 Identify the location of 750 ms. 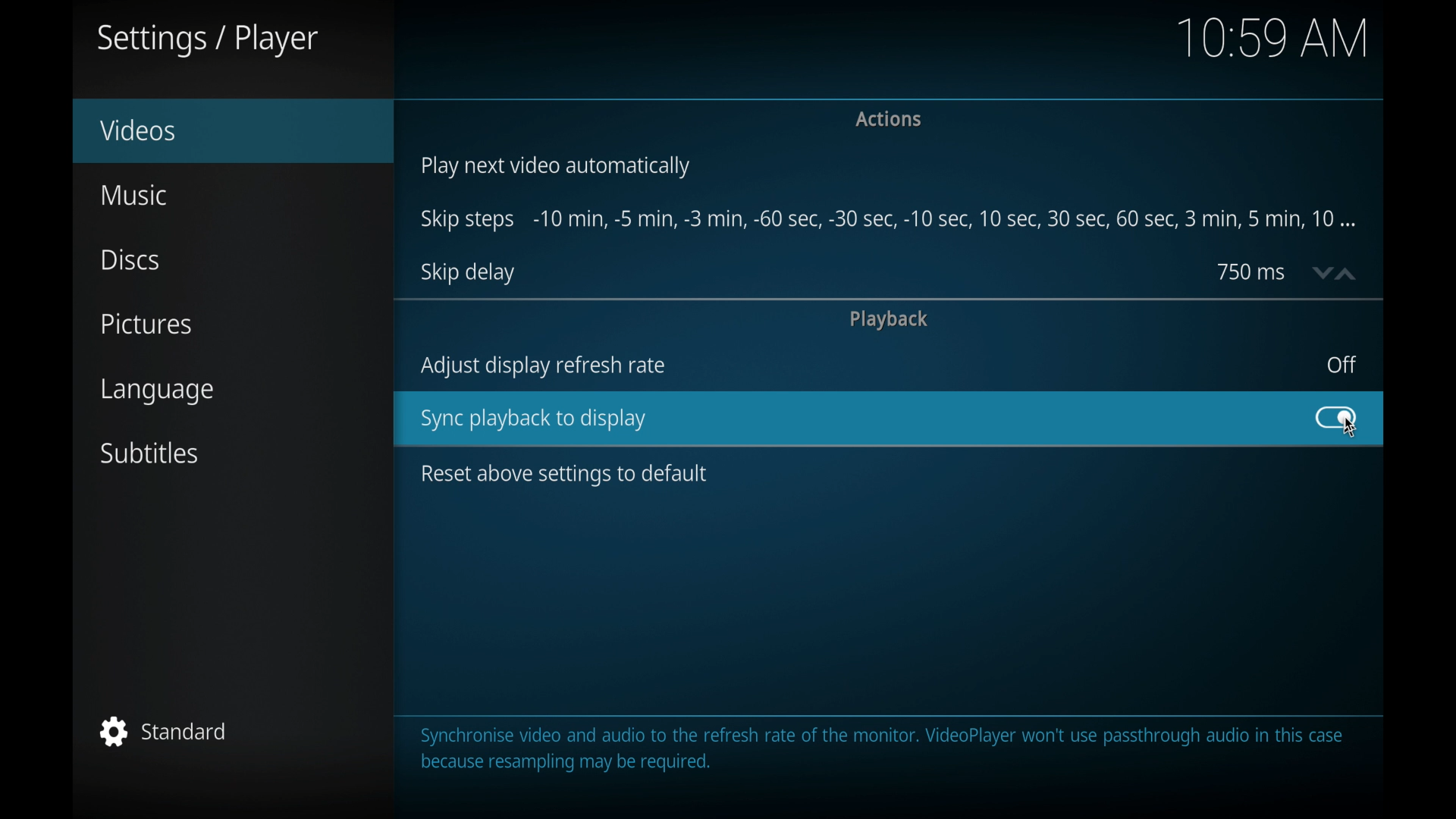
(1250, 272).